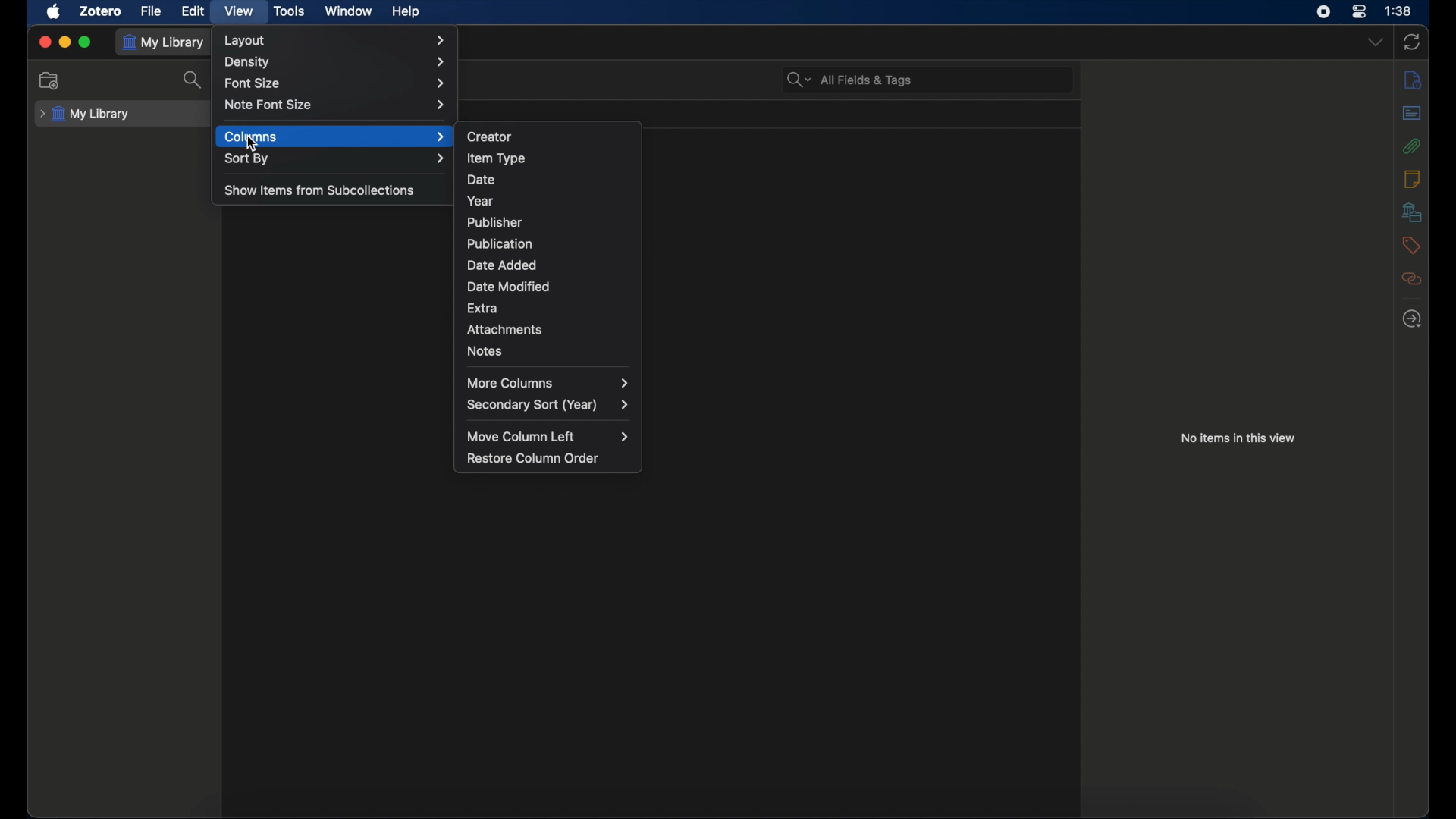 The height and width of the screenshot is (819, 1456). Describe the element at coordinates (550, 382) in the screenshot. I see `more columns` at that location.